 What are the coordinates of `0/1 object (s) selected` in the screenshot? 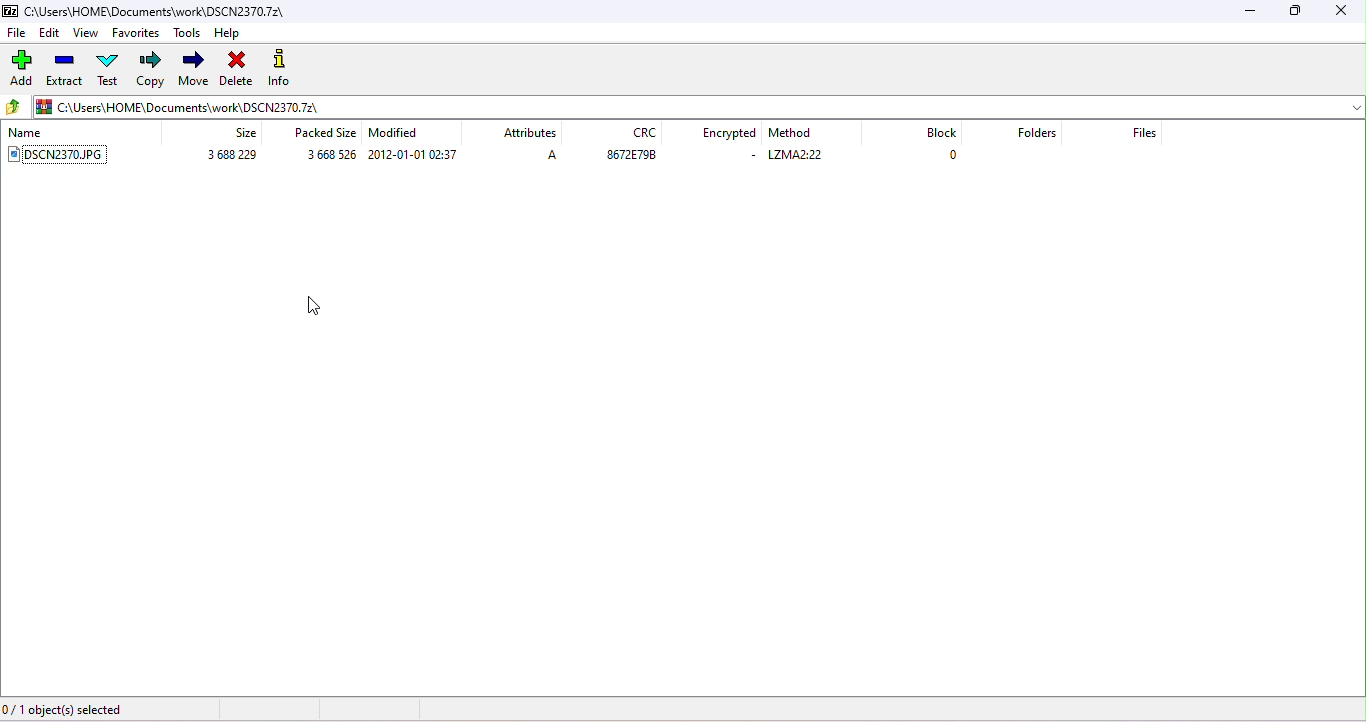 It's located at (73, 710).